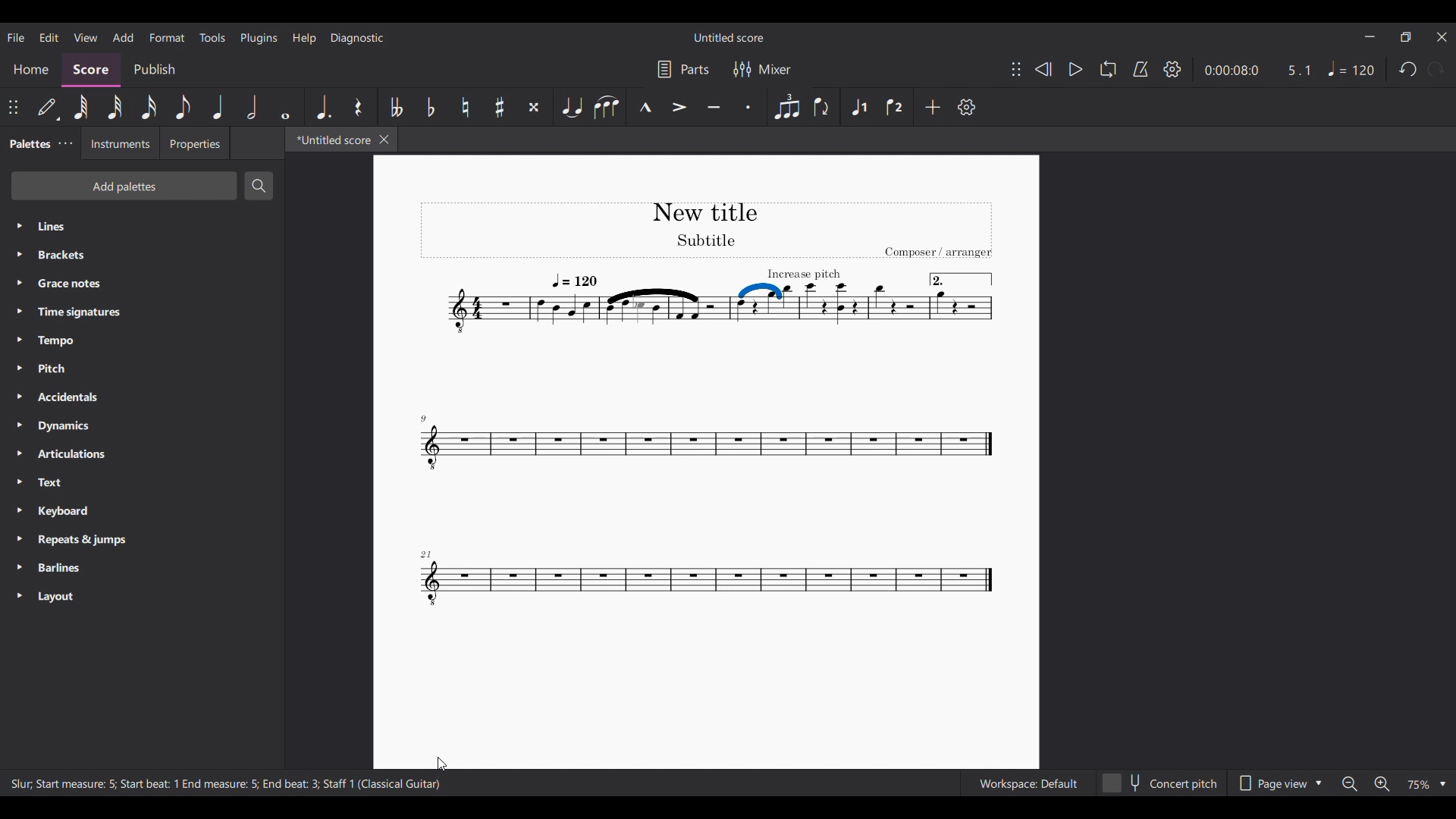 The width and height of the screenshot is (1456, 819). I want to click on Show in smaller tab, so click(1406, 37).